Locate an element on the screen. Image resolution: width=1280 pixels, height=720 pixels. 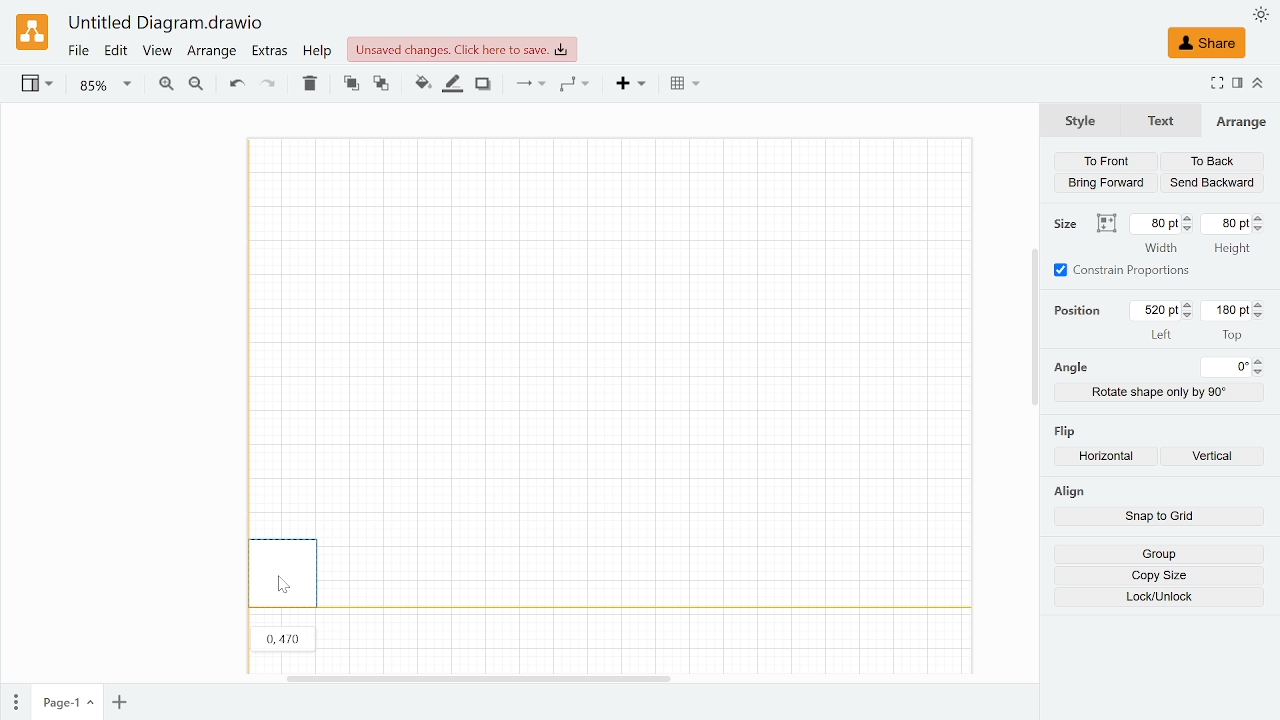
Text is located at coordinates (1157, 121).